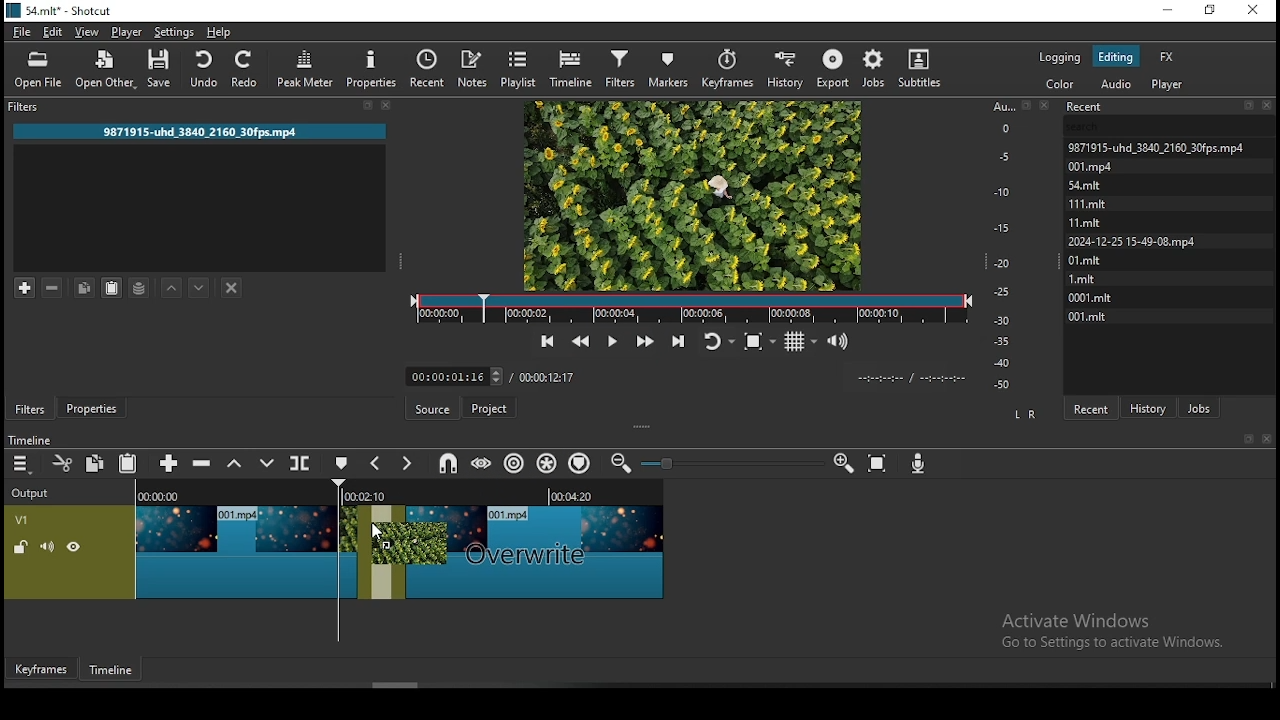 Image resolution: width=1280 pixels, height=720 pixels. What do you see at coordinates (34, 493) in the screenshot?
I see `Output` at bounding box center [34, 493].